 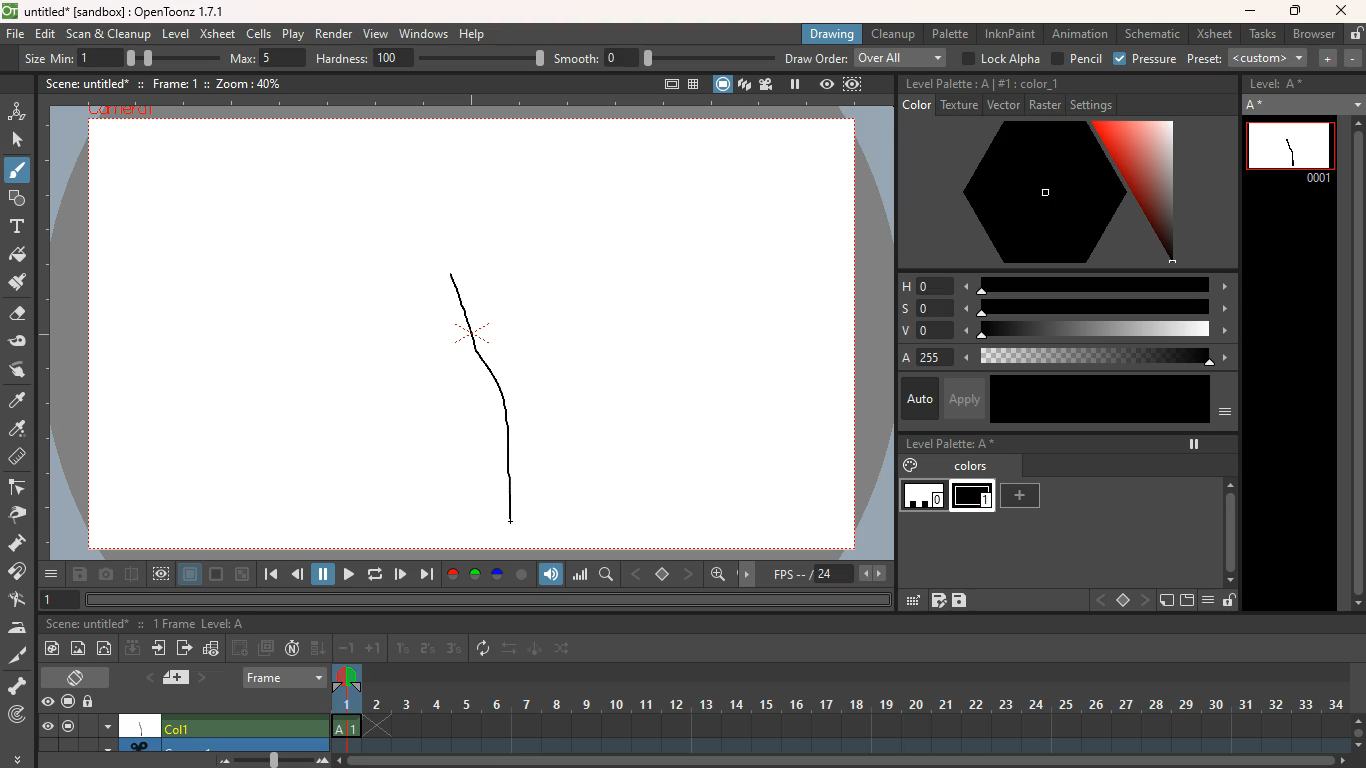 I want to click on circle, so click(x=522, y=574).